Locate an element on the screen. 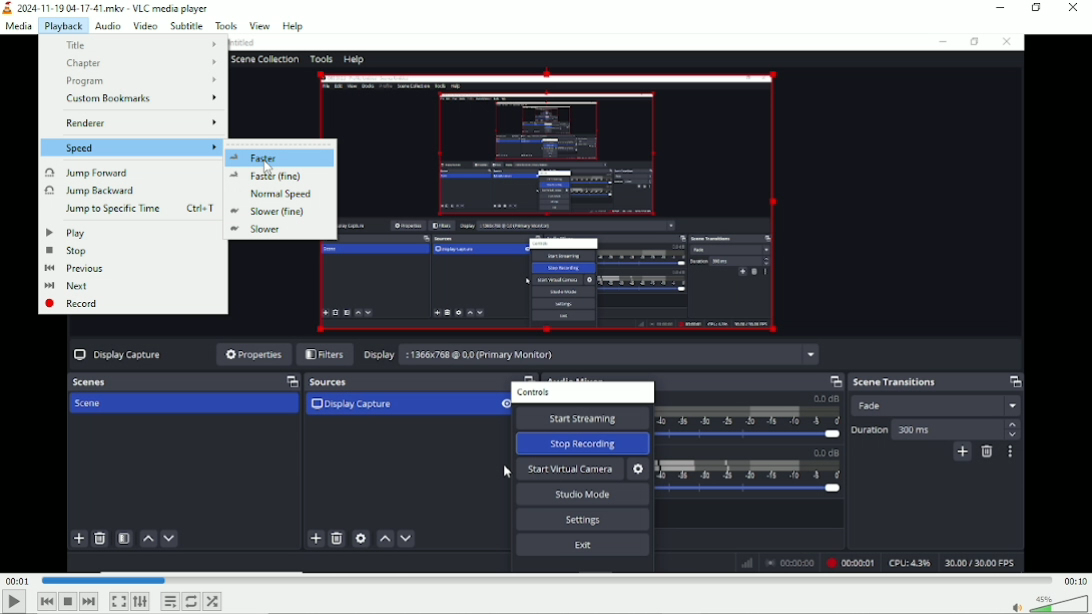  Custom bookmarks is located at coordinates (132, 99).